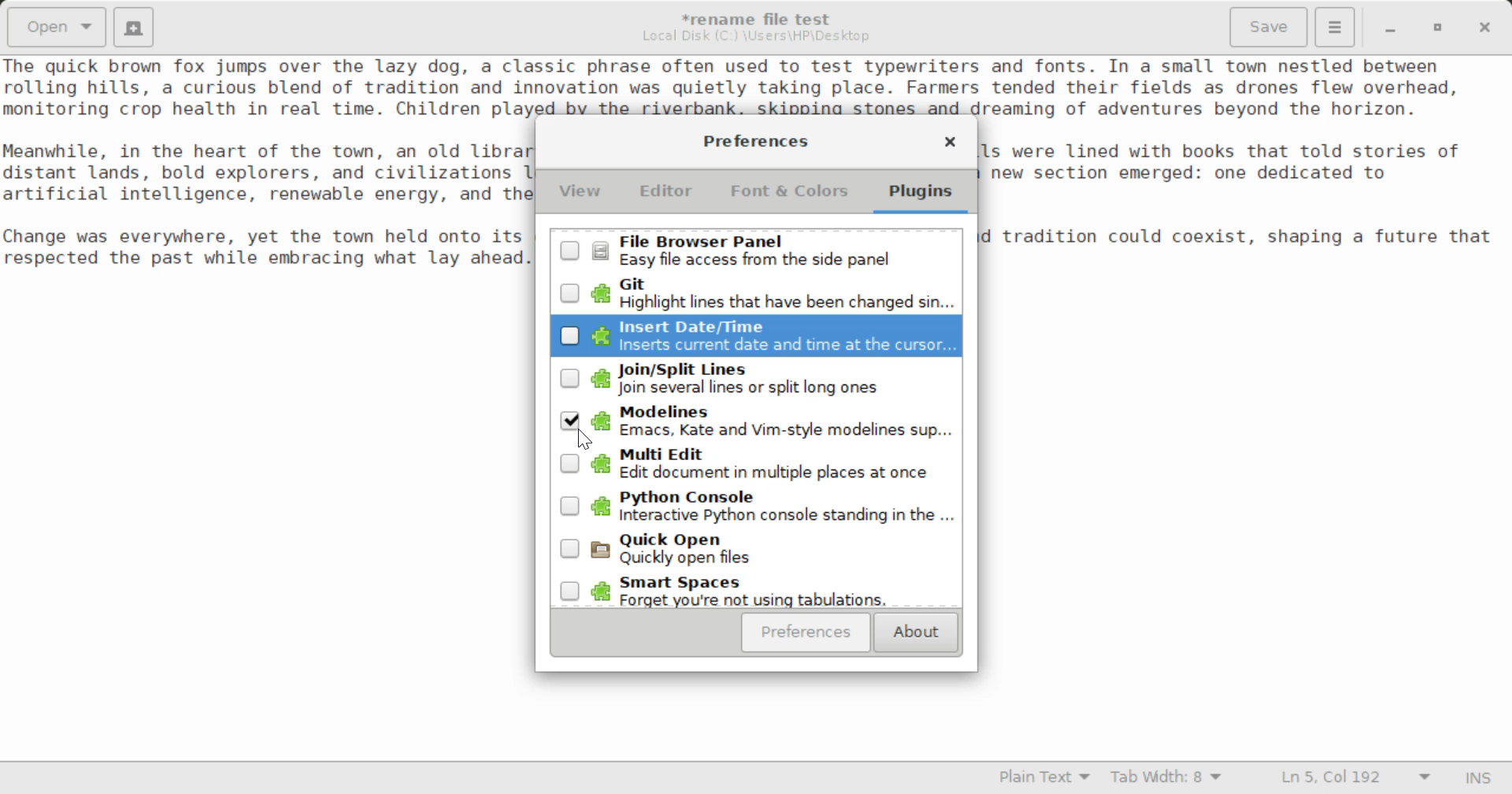 Image resolution: width=1512 pixels, height=794 pixels. I want to click on File Location, so click(756, 36).